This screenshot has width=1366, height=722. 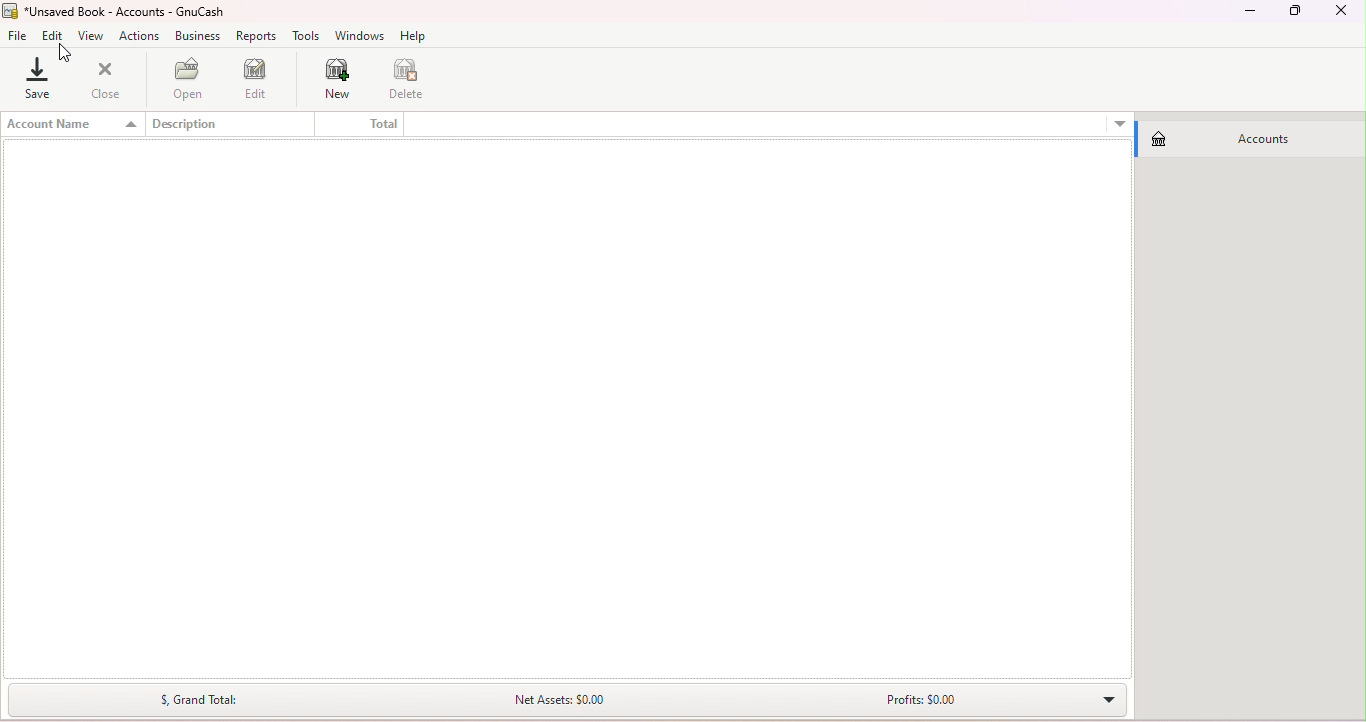 What do you see at coordinates (368, 124) in the screenshot?
I see `Total` at bounding box center [368, 124].